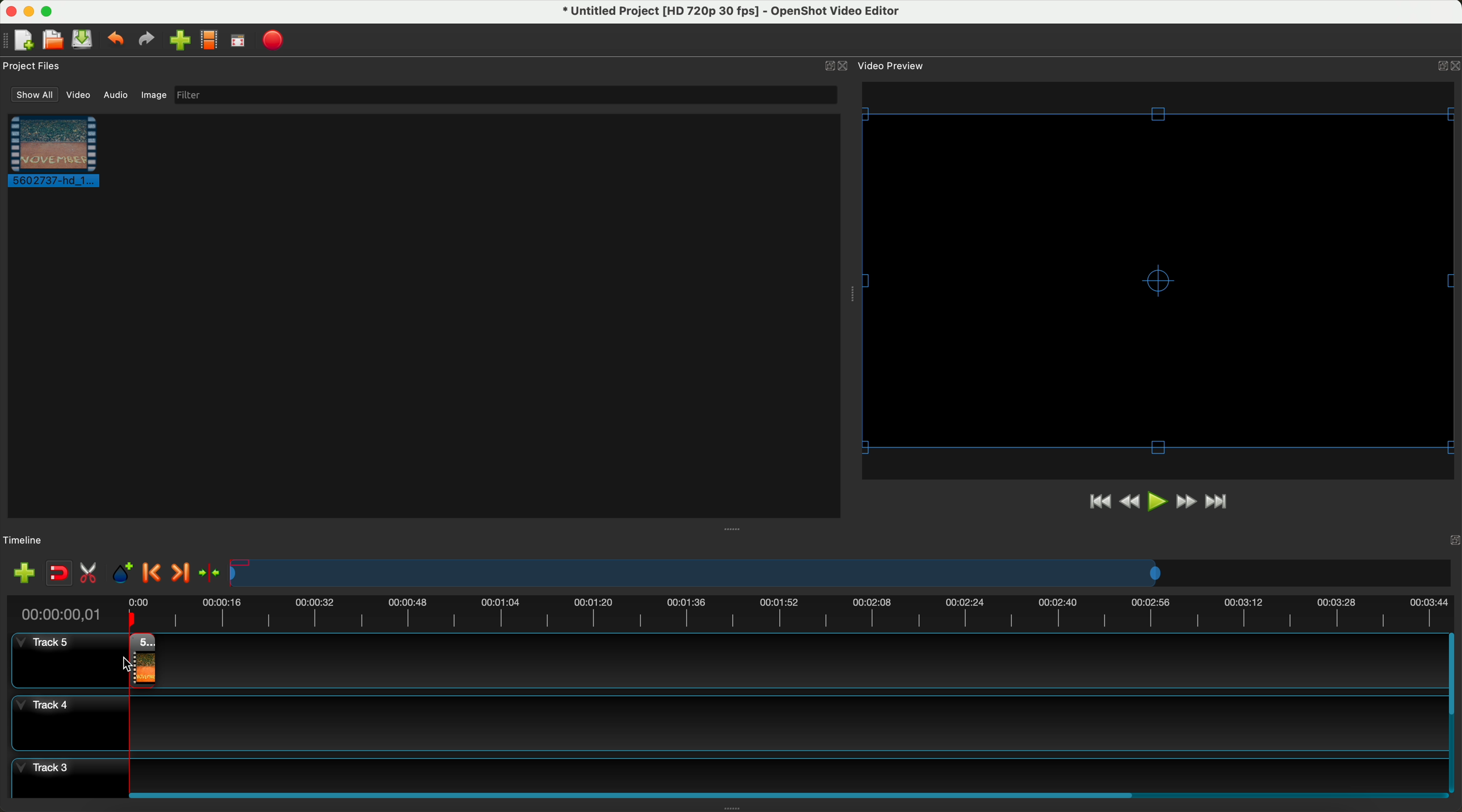 This screenshot has width=1462, height=812. I want to click on previous marker, so click(153, 573).